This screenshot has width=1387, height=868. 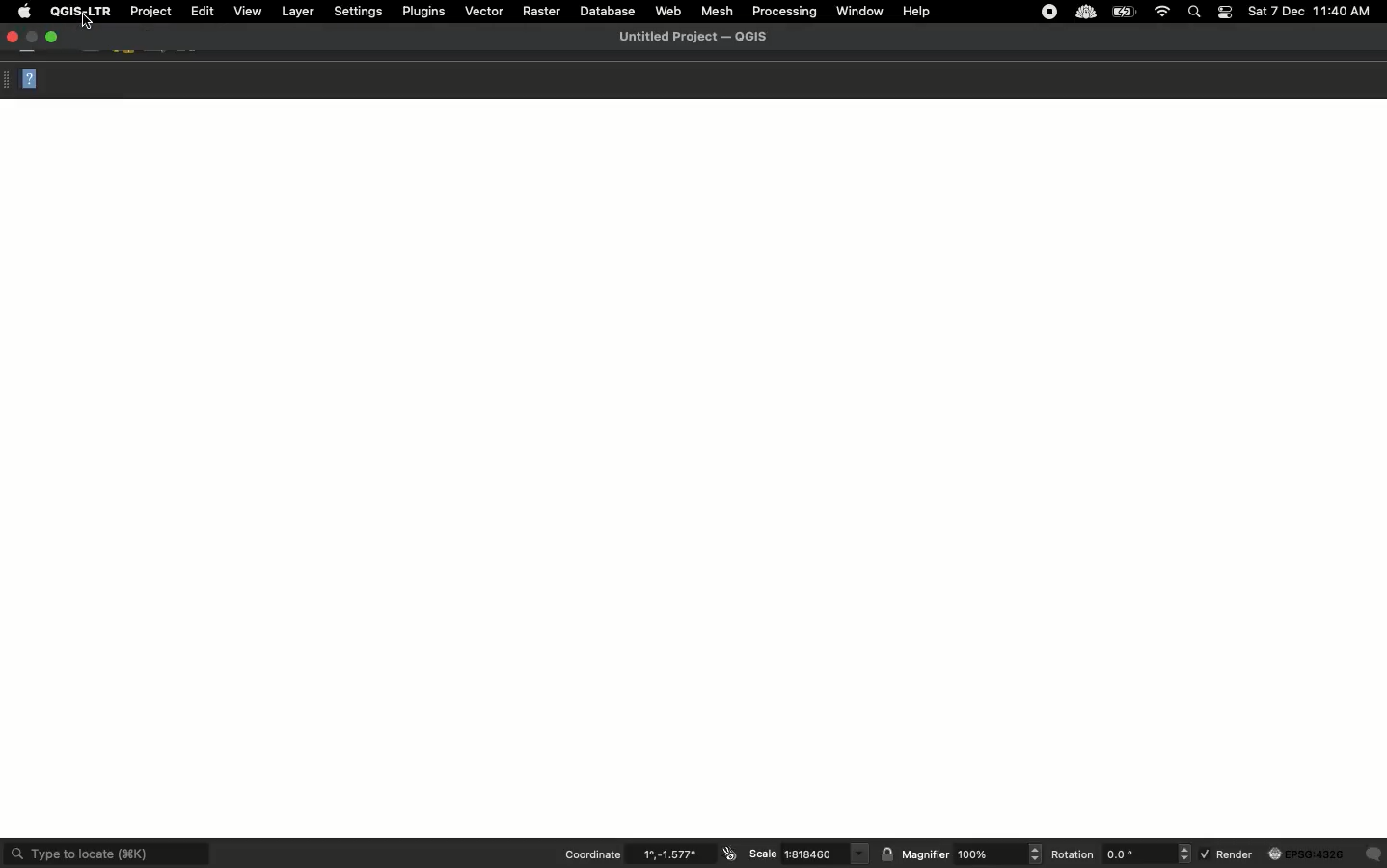 I want to click on Layer, so click(x=296, y=13).